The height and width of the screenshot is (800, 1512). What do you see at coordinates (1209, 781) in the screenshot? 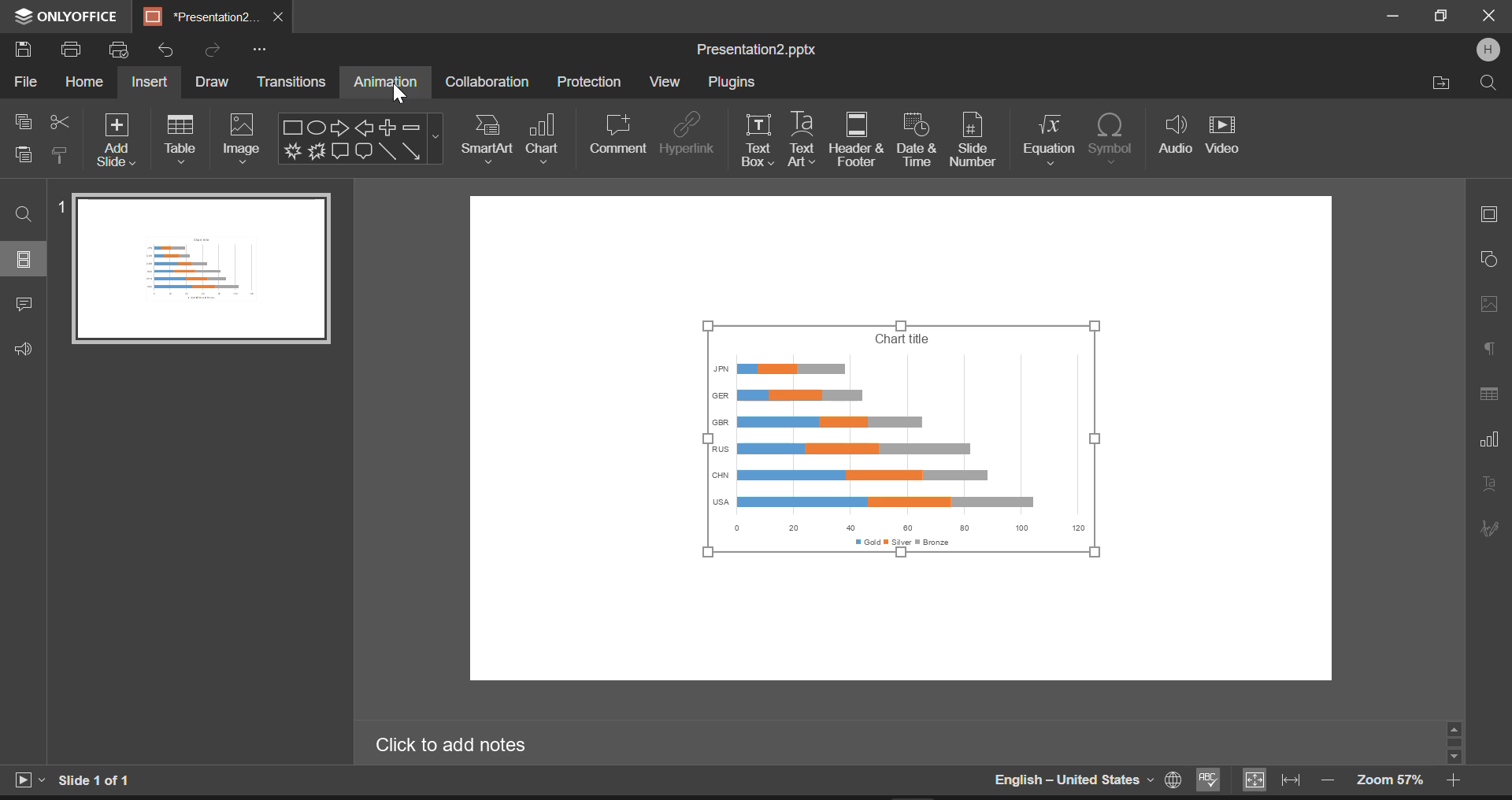
I see `Spellchecking` at bounding box center [1209, 781].